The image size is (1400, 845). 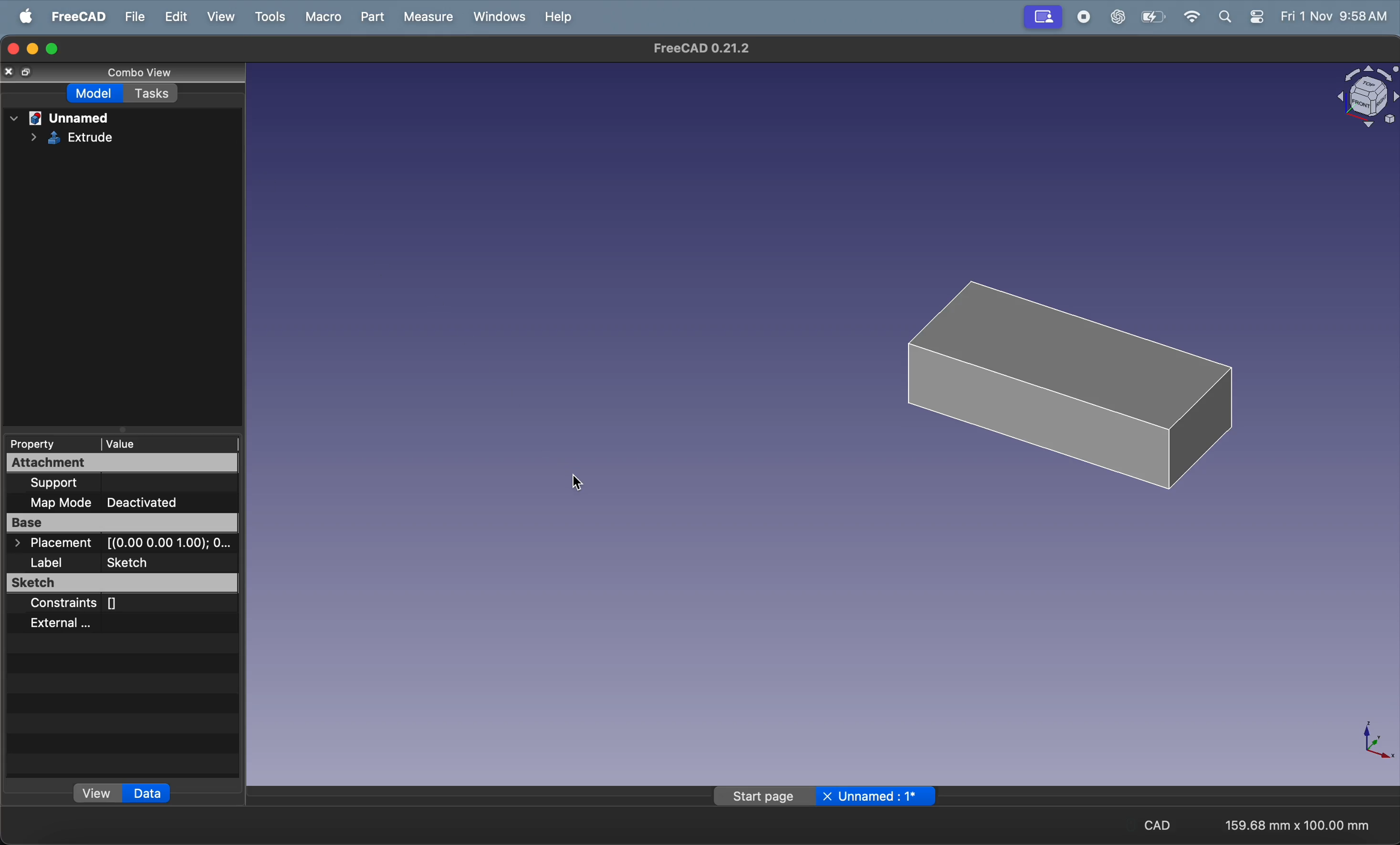 What do you see at coordinates (86, 604) in the screenshot?
I see `constraints` at bounding box center [86, 604].